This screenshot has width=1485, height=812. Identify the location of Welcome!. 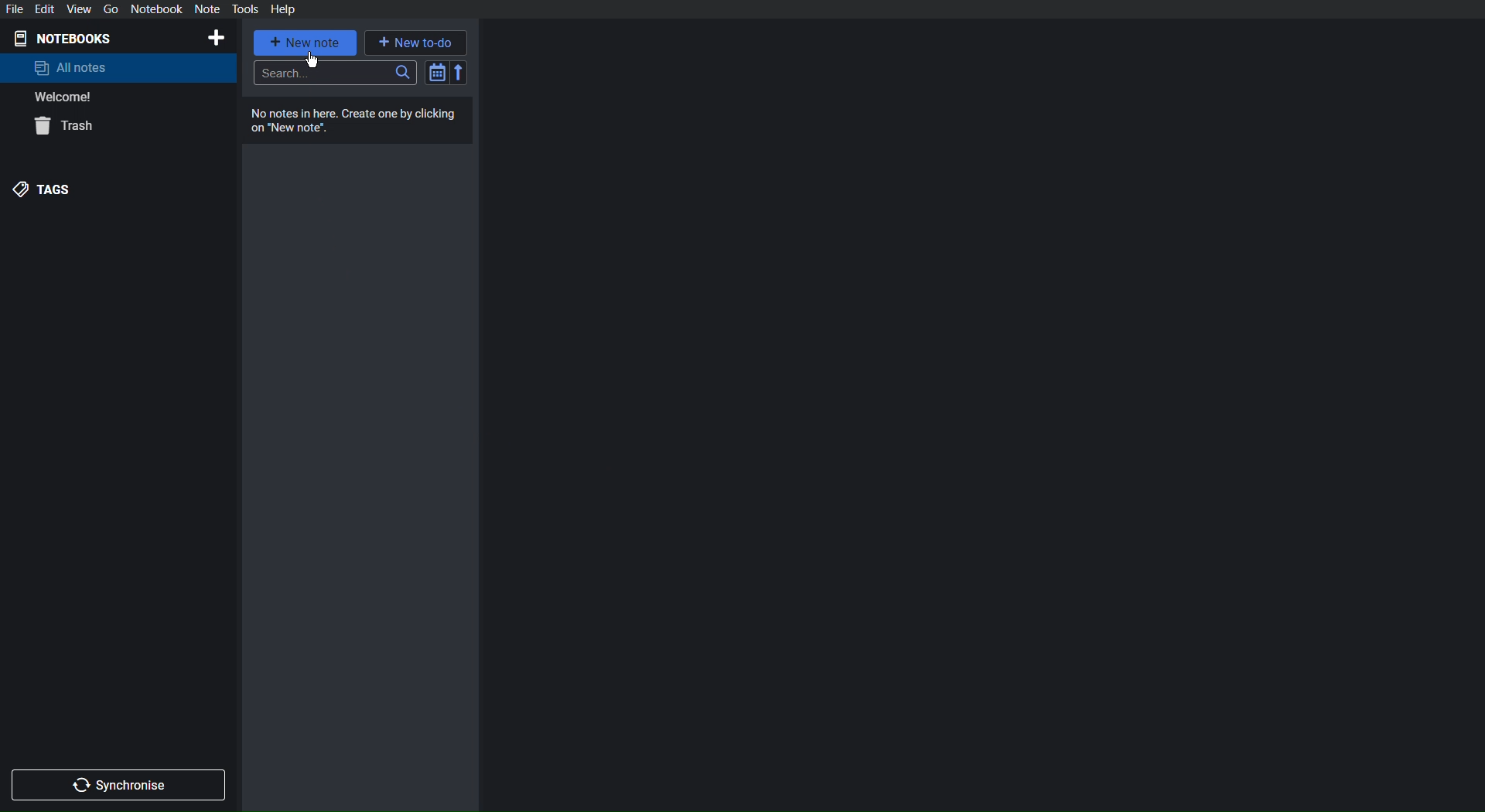
(65, 97).